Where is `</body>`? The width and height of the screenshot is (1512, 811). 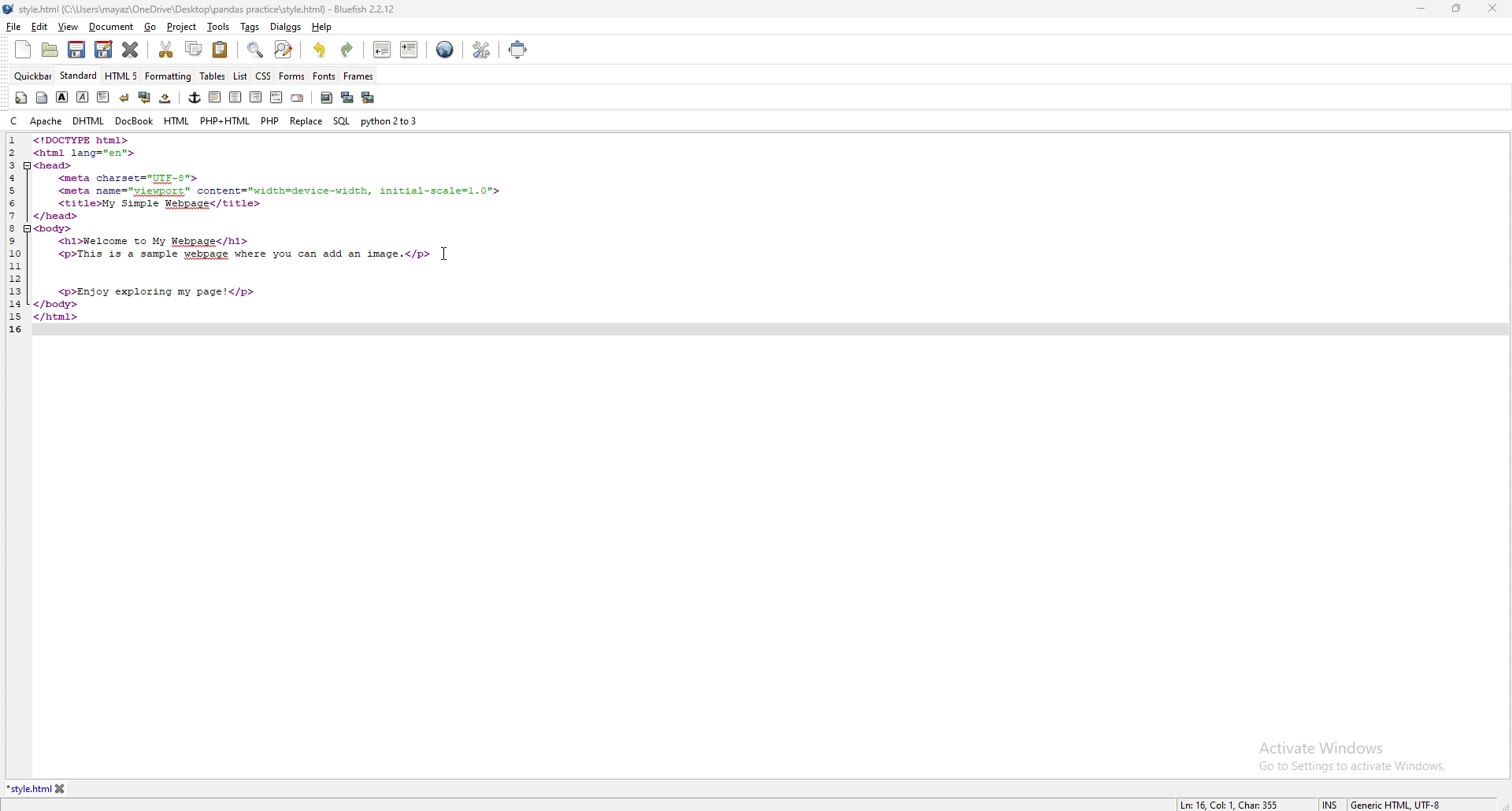 </body> is located at coordinates (58, 304).